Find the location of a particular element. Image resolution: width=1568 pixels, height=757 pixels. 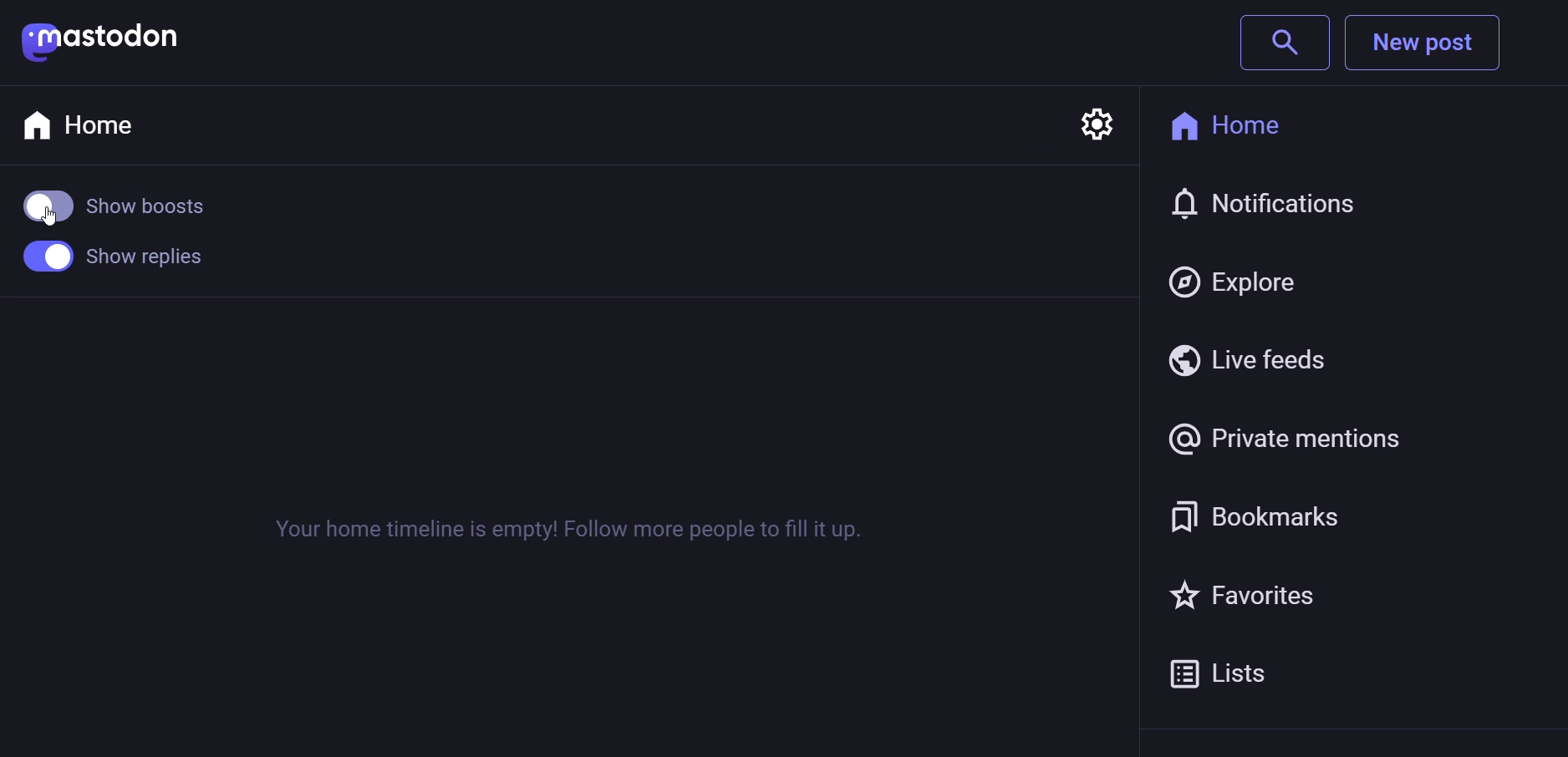

notification is located at coordinates (1272, 206).